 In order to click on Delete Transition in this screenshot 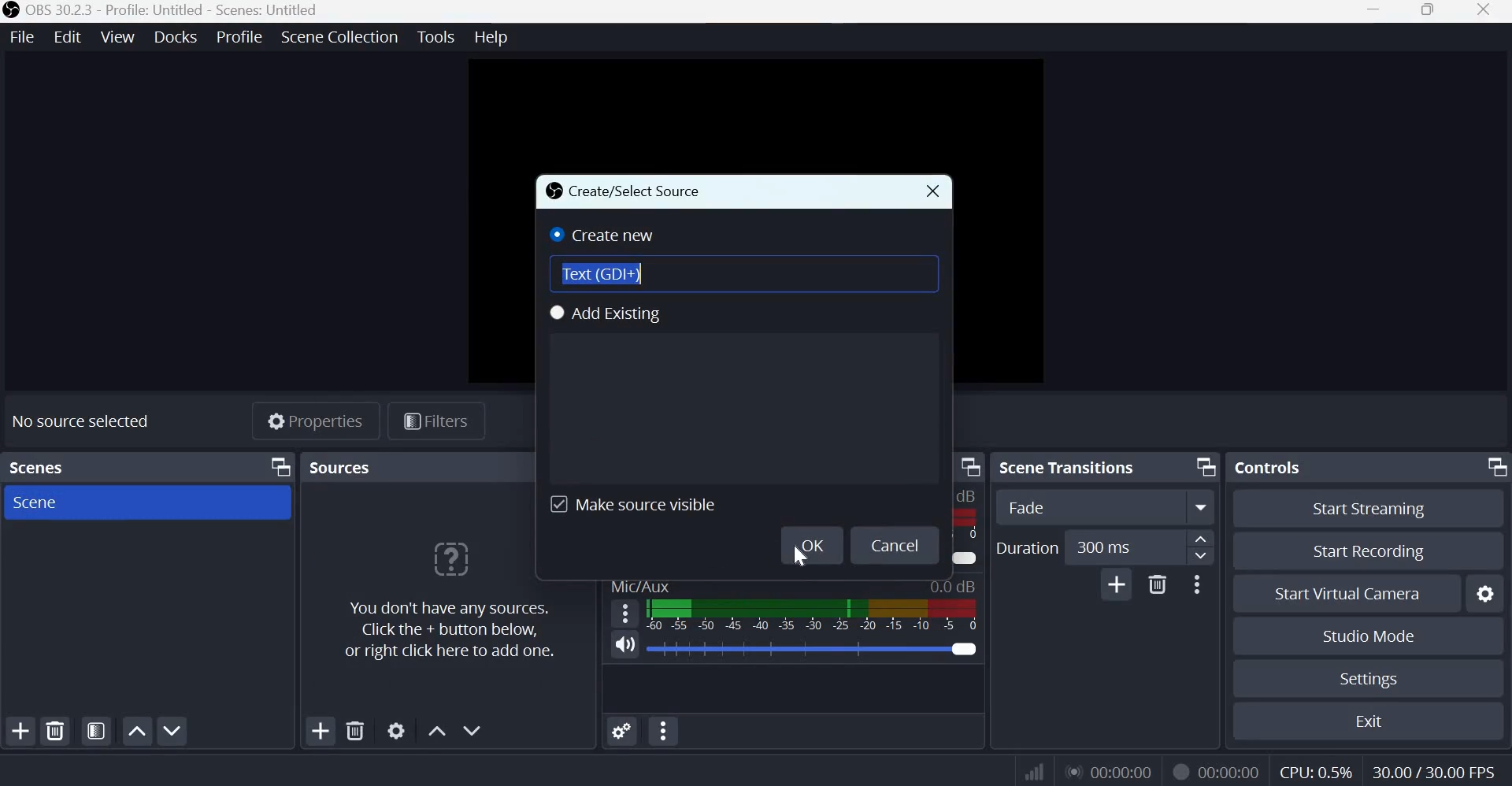, I will do `click(1157, 584)`.